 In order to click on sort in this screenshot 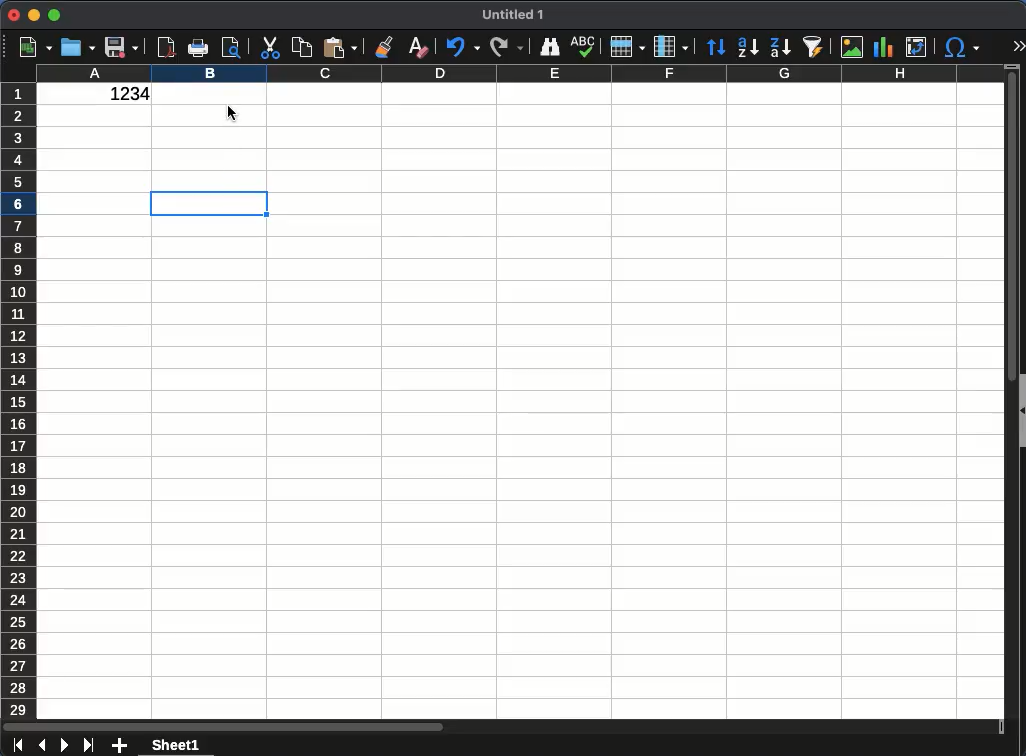, I will do `click(716, 48)`.